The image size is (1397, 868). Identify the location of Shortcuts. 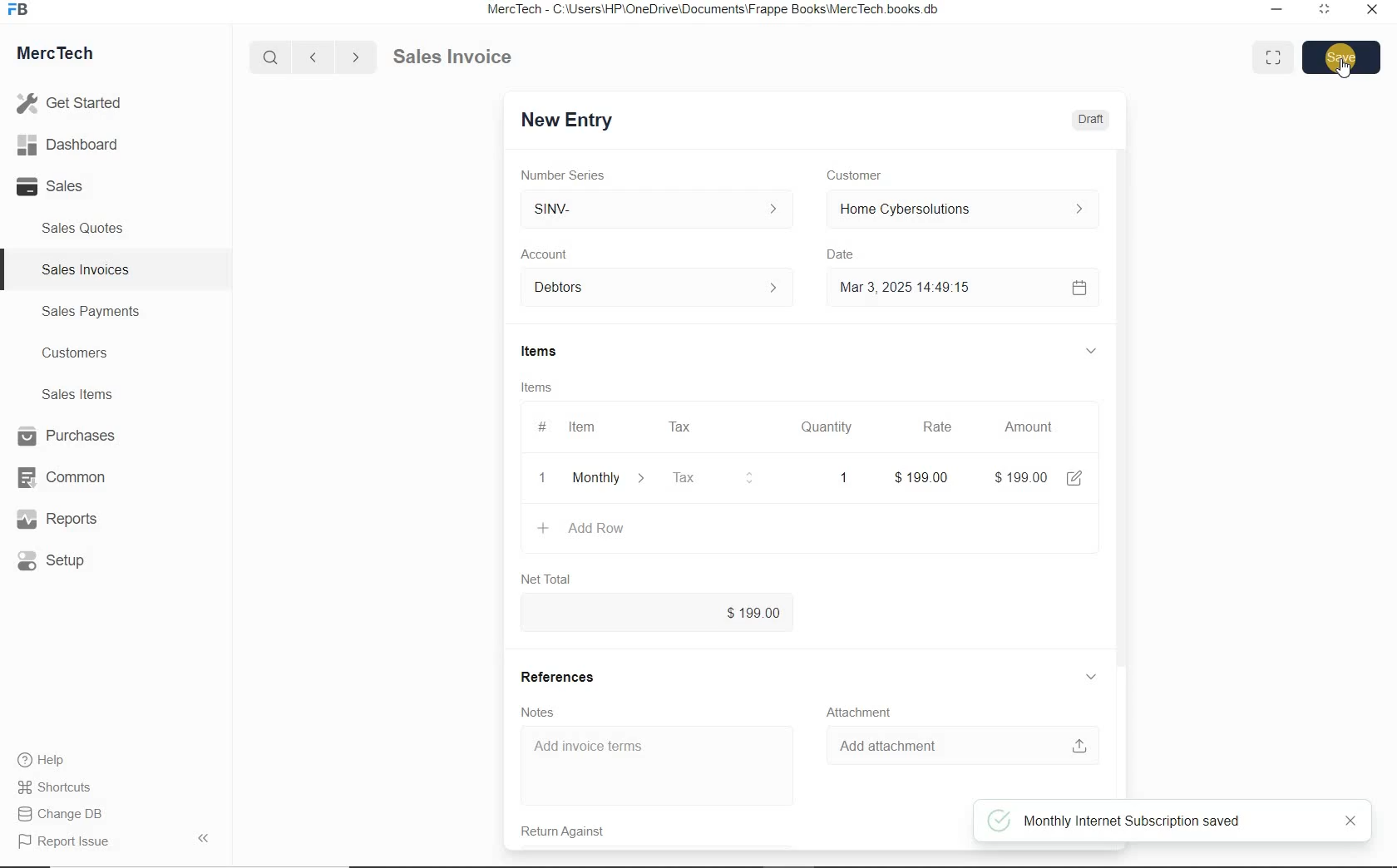
(62, 788).